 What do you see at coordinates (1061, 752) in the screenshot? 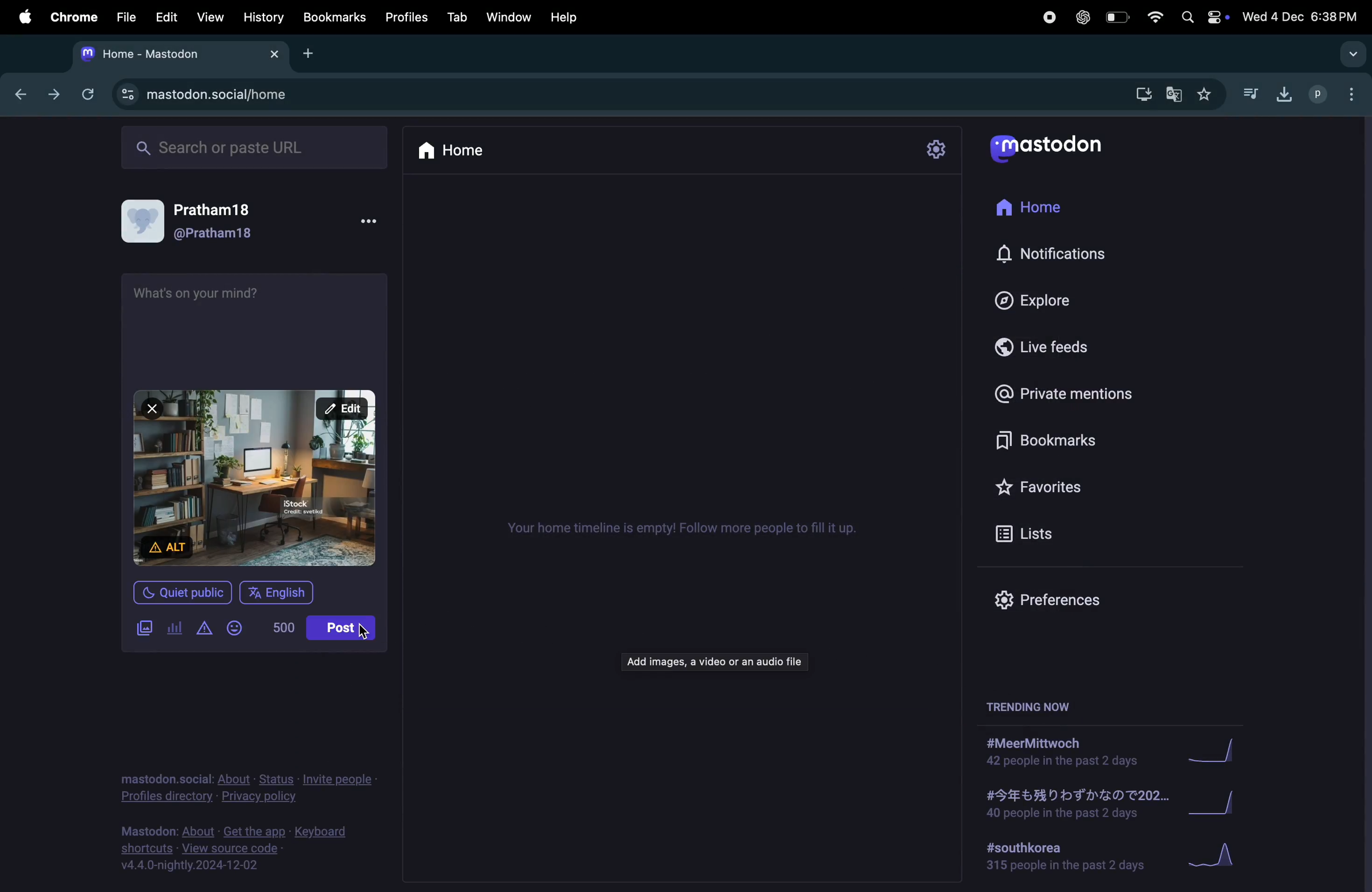
I see `# meermittwoch` at bounding box center [1061, 752].